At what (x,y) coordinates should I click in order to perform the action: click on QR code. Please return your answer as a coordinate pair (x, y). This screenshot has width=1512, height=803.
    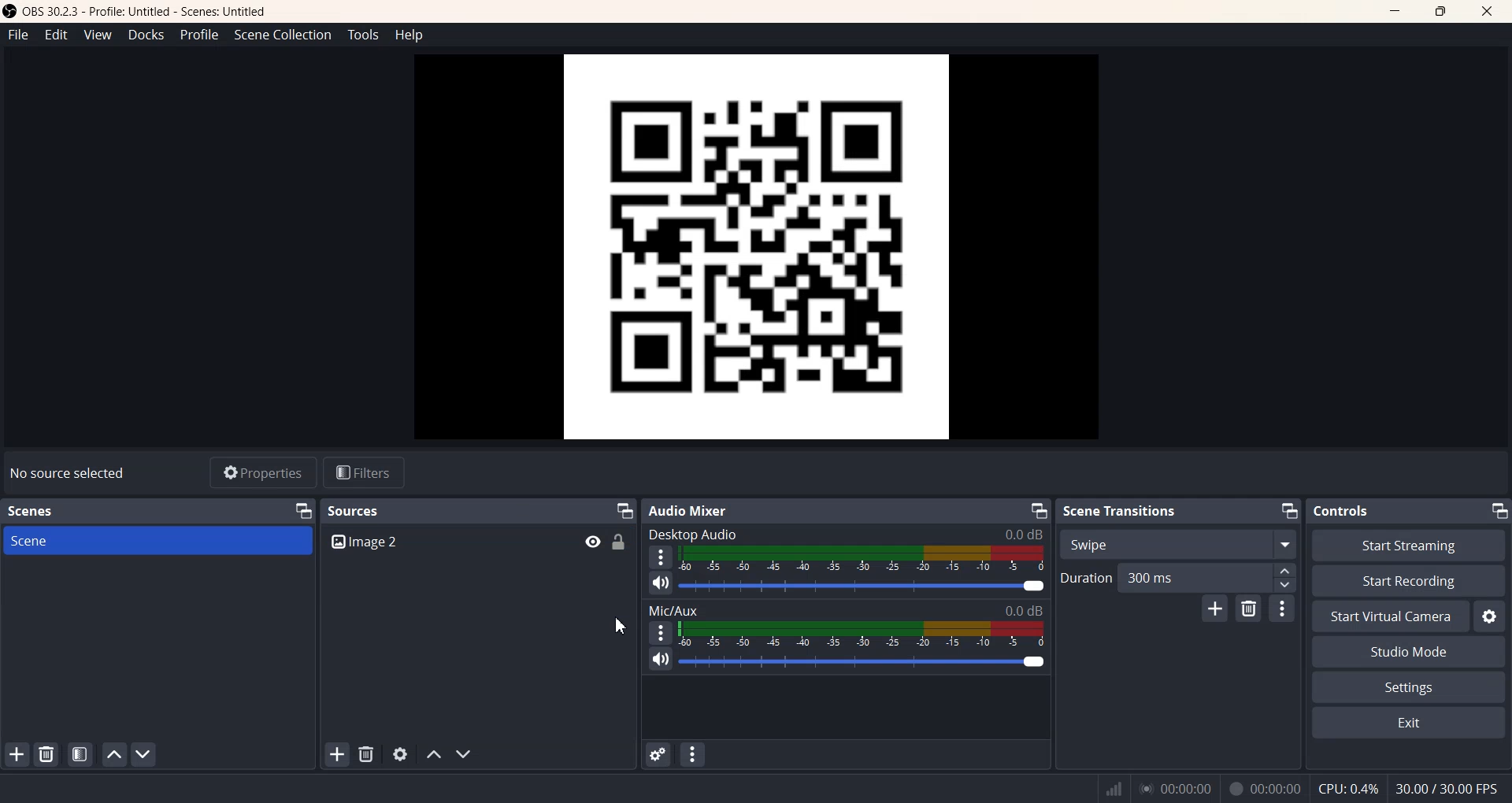
    Looking at the image, I should click on (751, 248).